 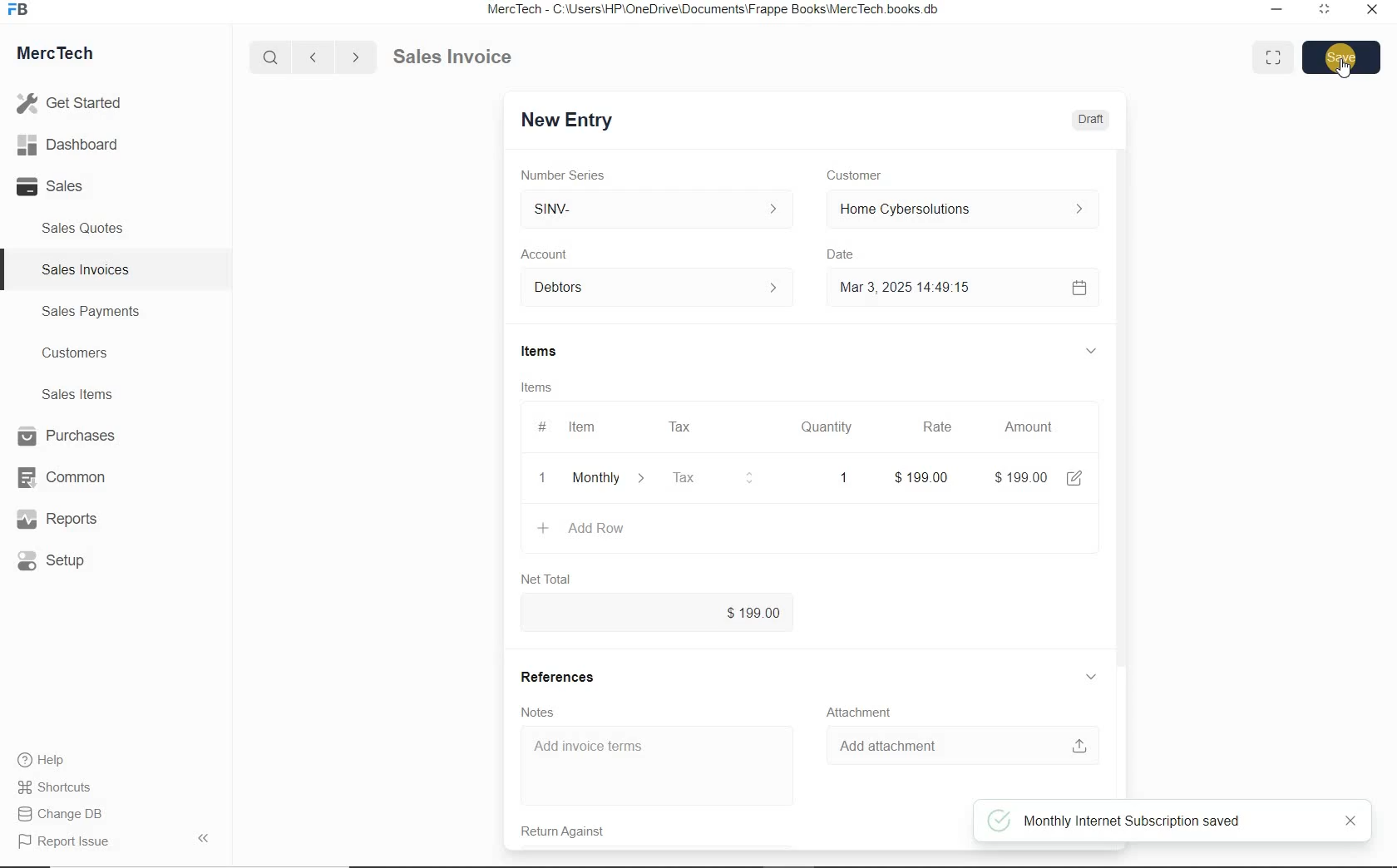 I want to click on SINV-, so click(x=655, y=210).